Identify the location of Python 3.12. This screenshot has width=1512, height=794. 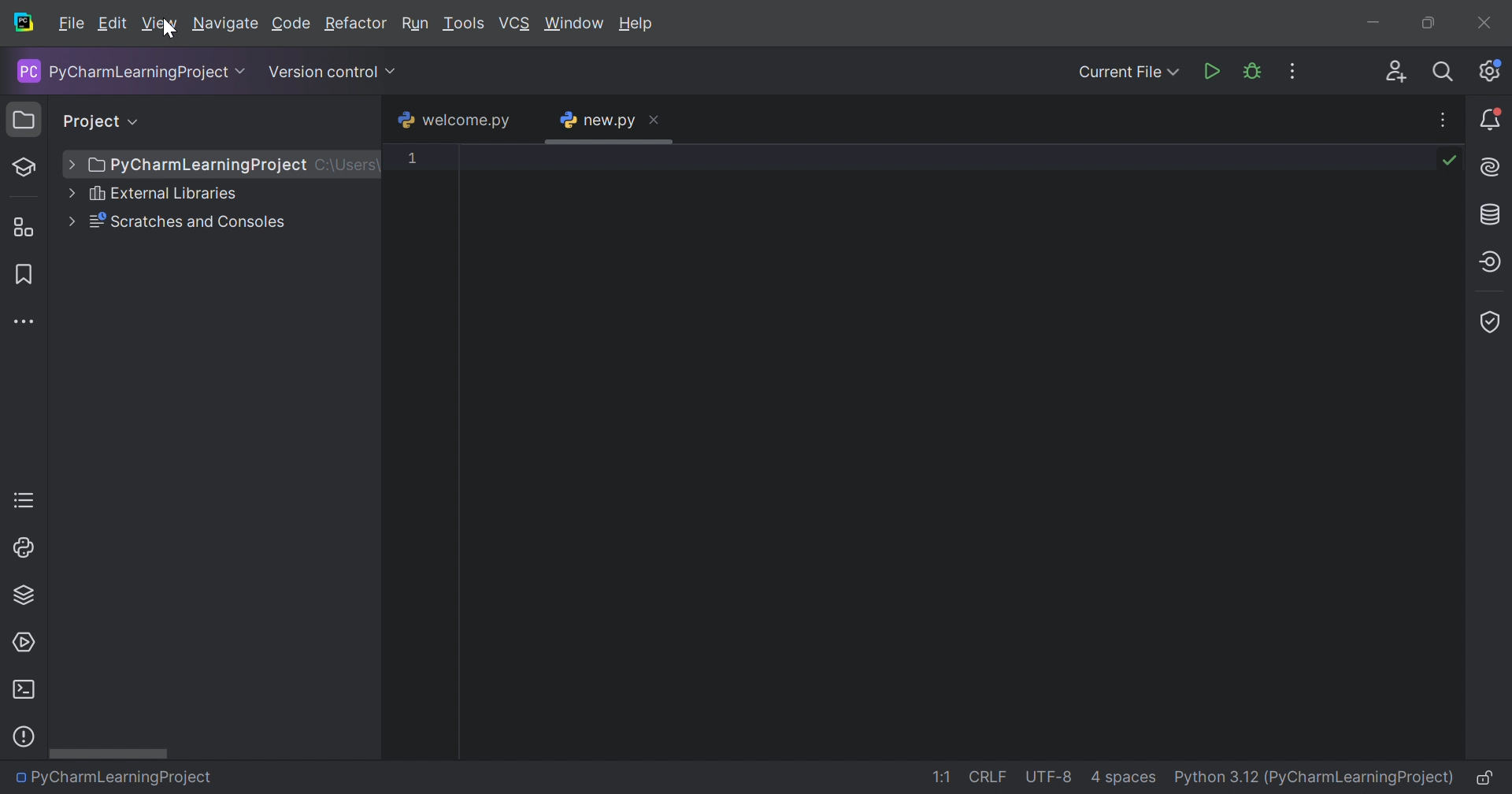
(1214, 778).